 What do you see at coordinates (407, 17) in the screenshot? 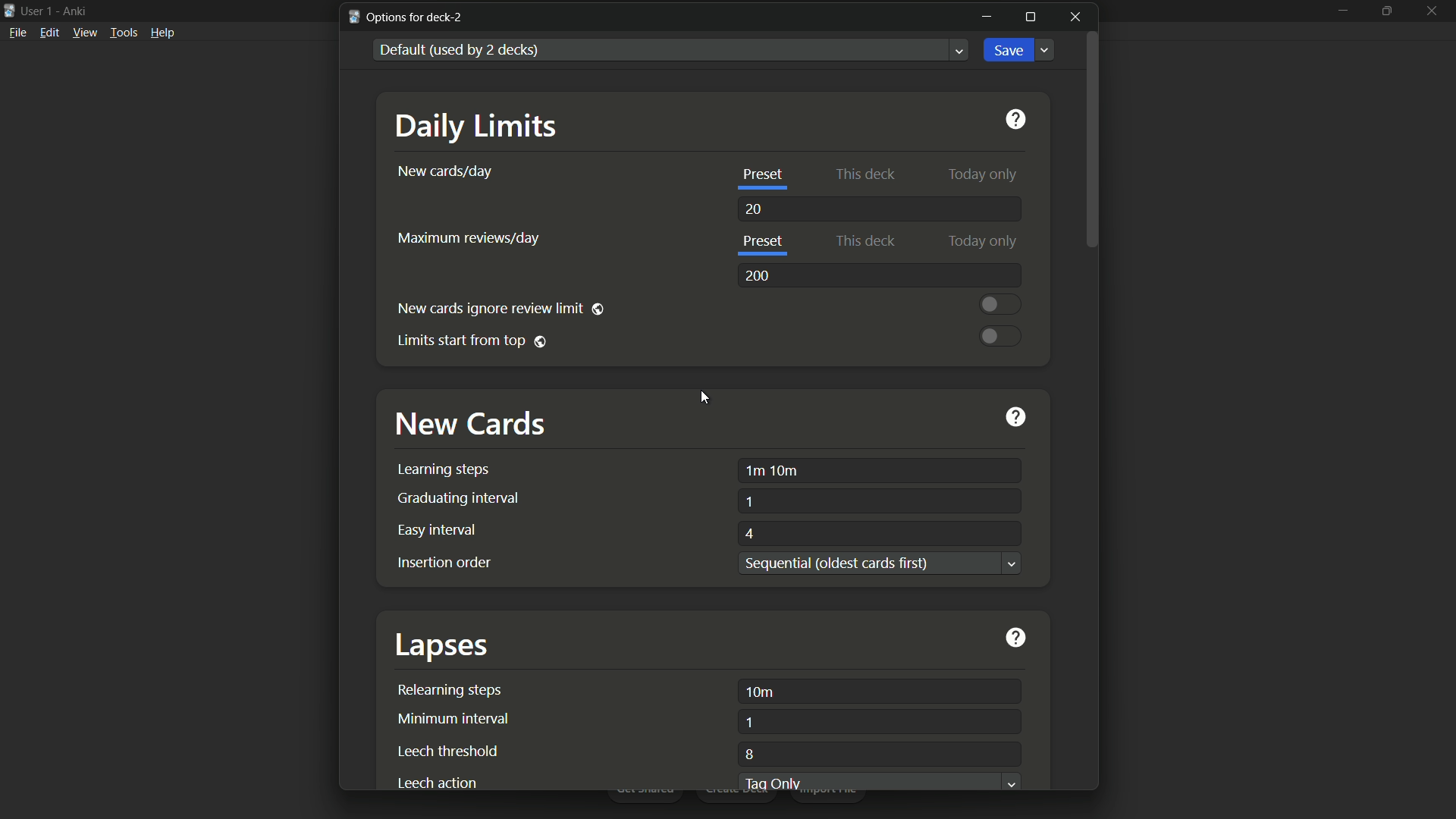
I see `options for deck-2` at bounding box center [407, 17].